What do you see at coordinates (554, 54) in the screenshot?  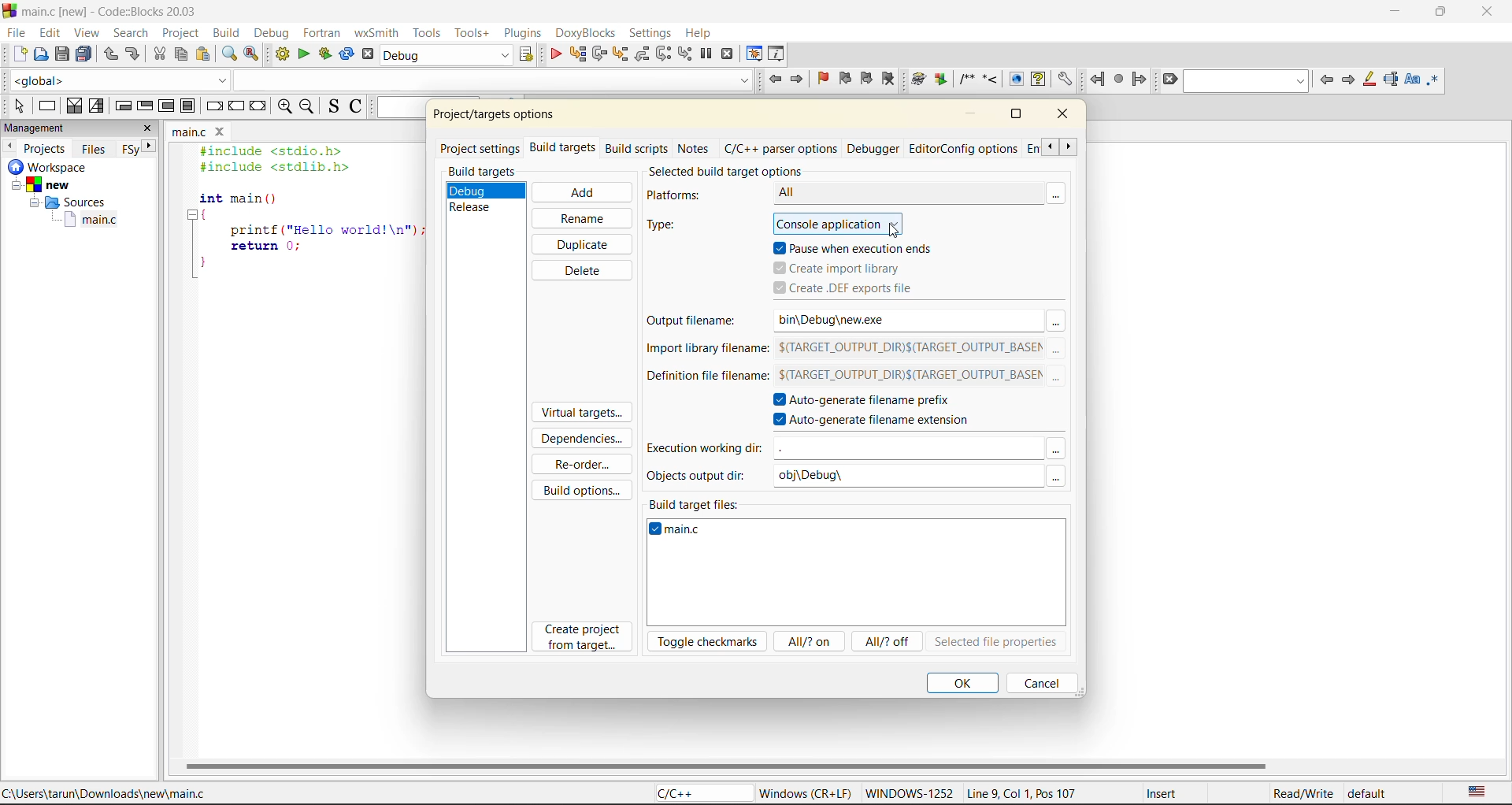 I see `debug` at bounding box center [554, 54].